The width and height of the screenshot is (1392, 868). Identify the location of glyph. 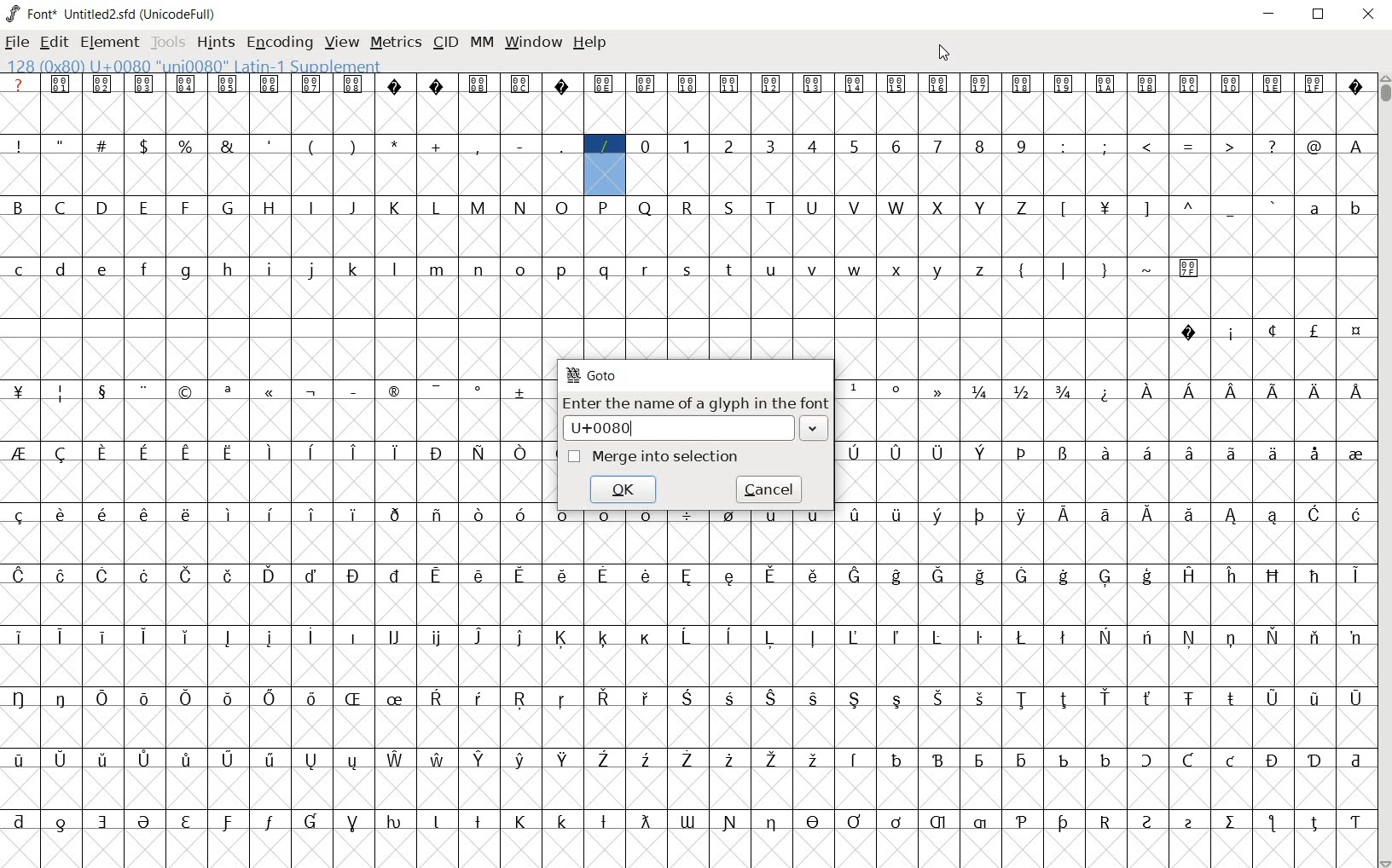
(813, 514).